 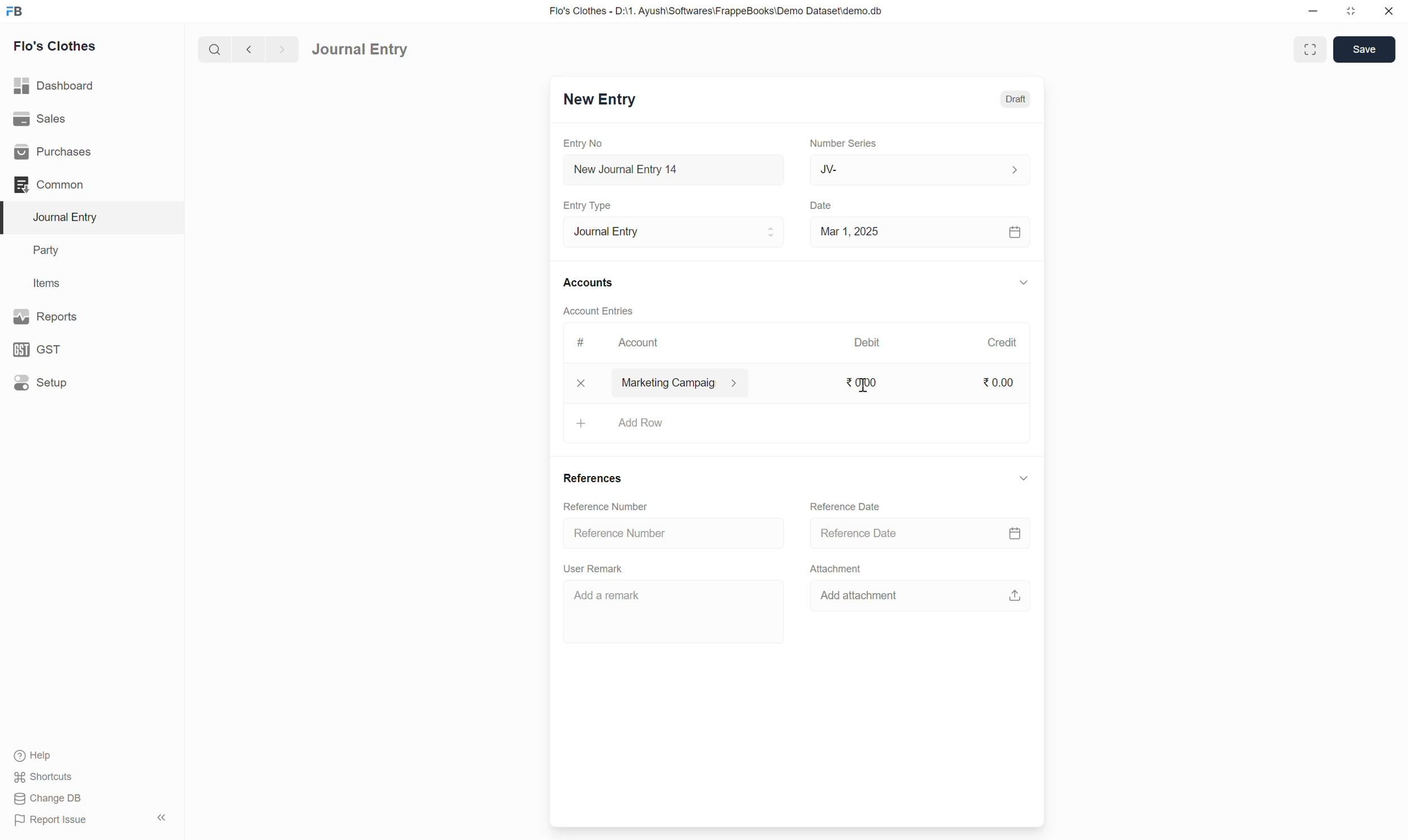 I want to click on minimize, so click(x=1313, y=12).